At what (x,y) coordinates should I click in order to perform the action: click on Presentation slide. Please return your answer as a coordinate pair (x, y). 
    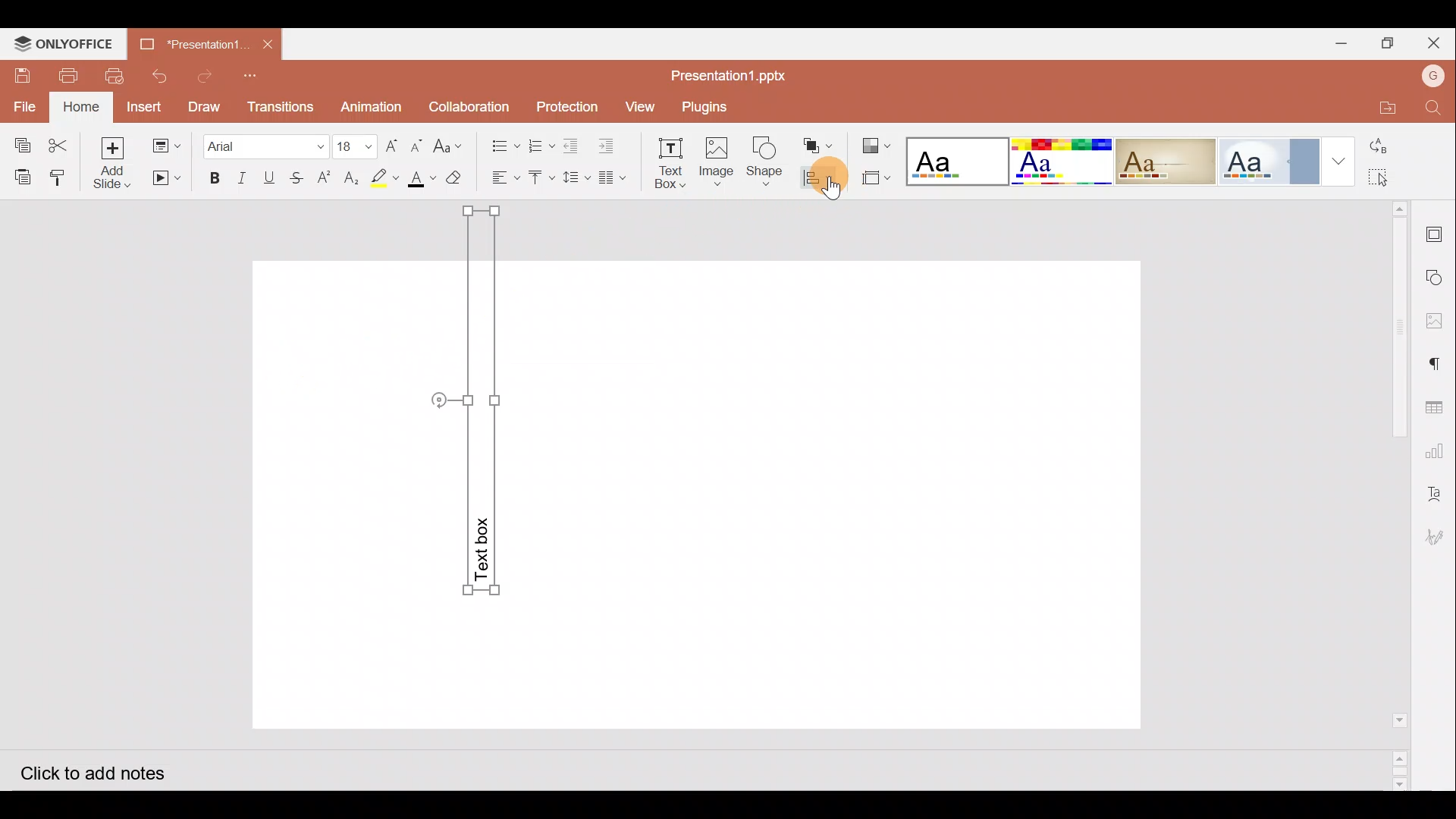
    Looking at the image, I should click on (886, 494).